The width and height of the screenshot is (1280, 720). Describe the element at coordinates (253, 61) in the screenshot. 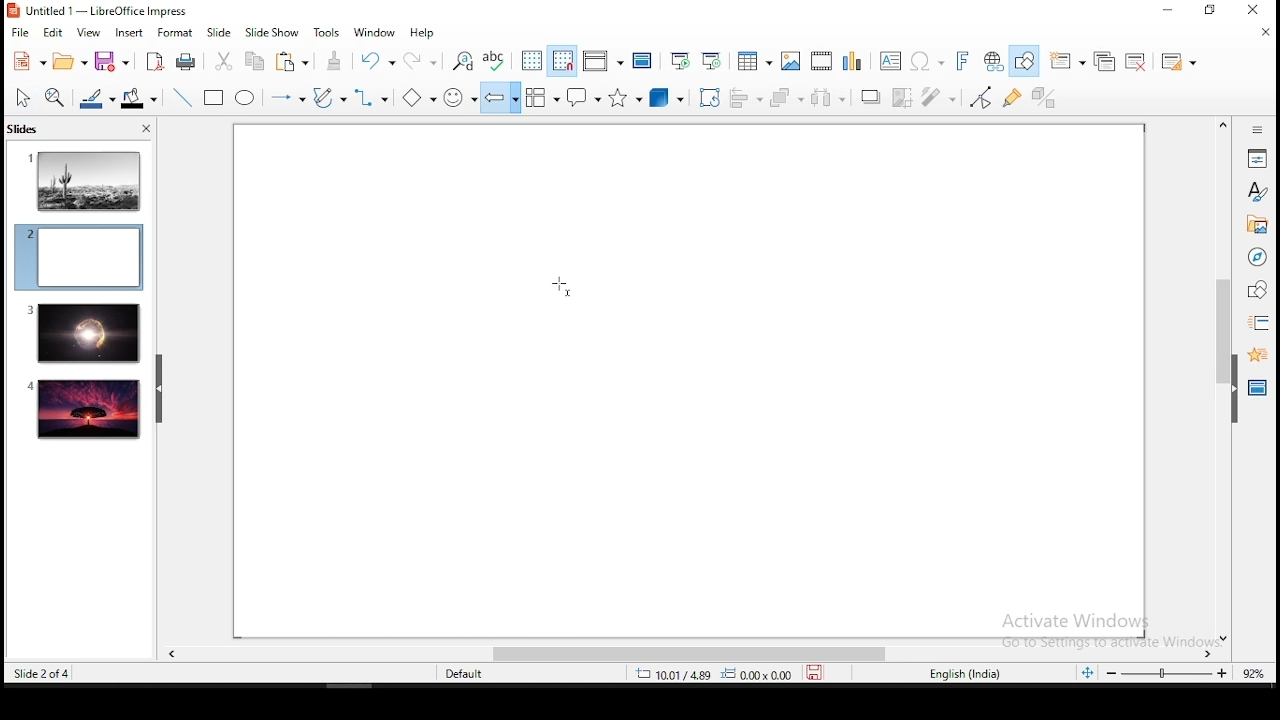

I see `copy` at that location.